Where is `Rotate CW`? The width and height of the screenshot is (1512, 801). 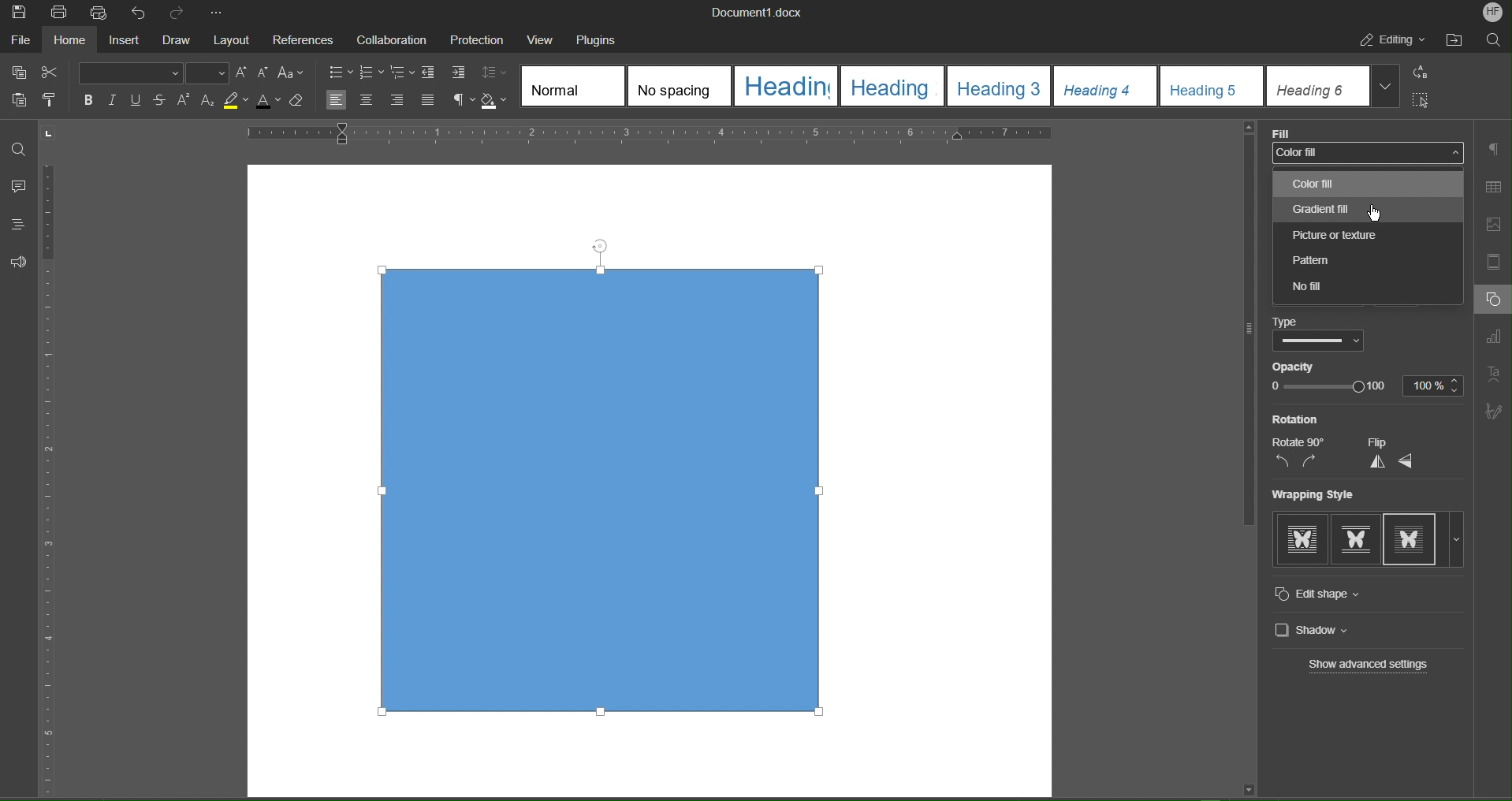 Rotate CW is located at coordinates (1316, 463).